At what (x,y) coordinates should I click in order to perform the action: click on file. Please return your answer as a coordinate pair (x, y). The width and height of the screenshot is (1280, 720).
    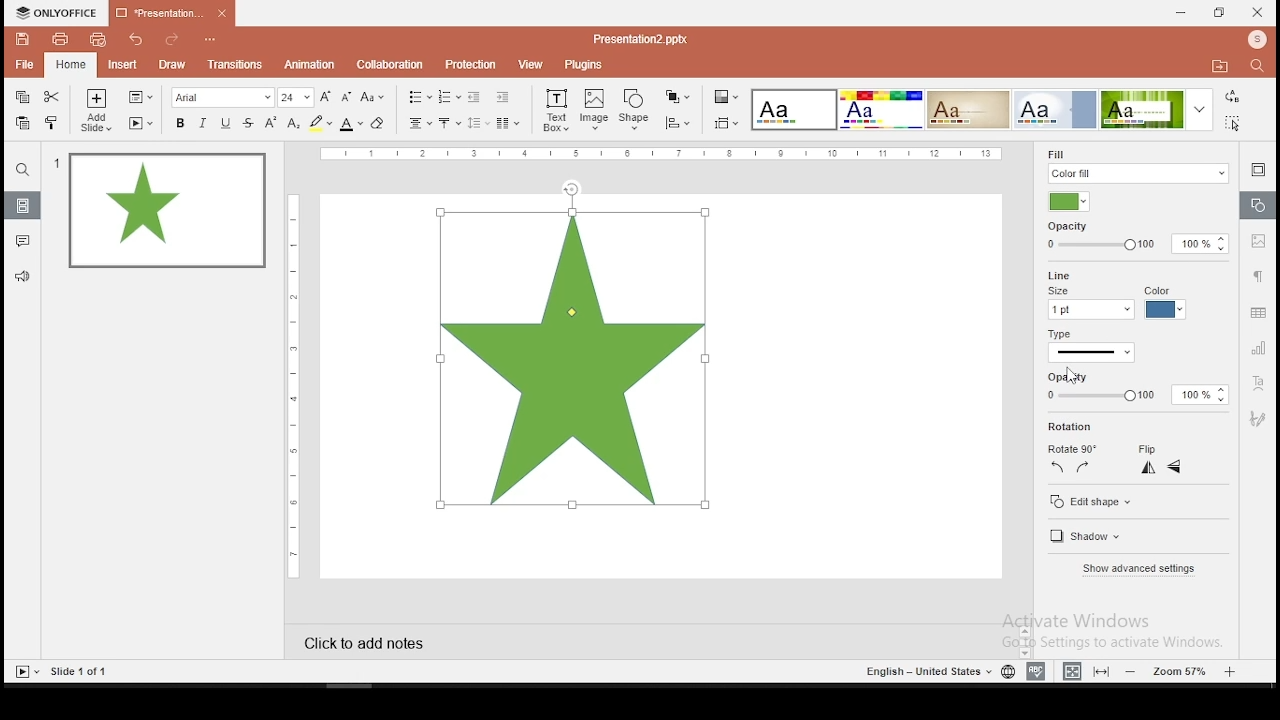
    Looking at the image, I should click on (26, 64).